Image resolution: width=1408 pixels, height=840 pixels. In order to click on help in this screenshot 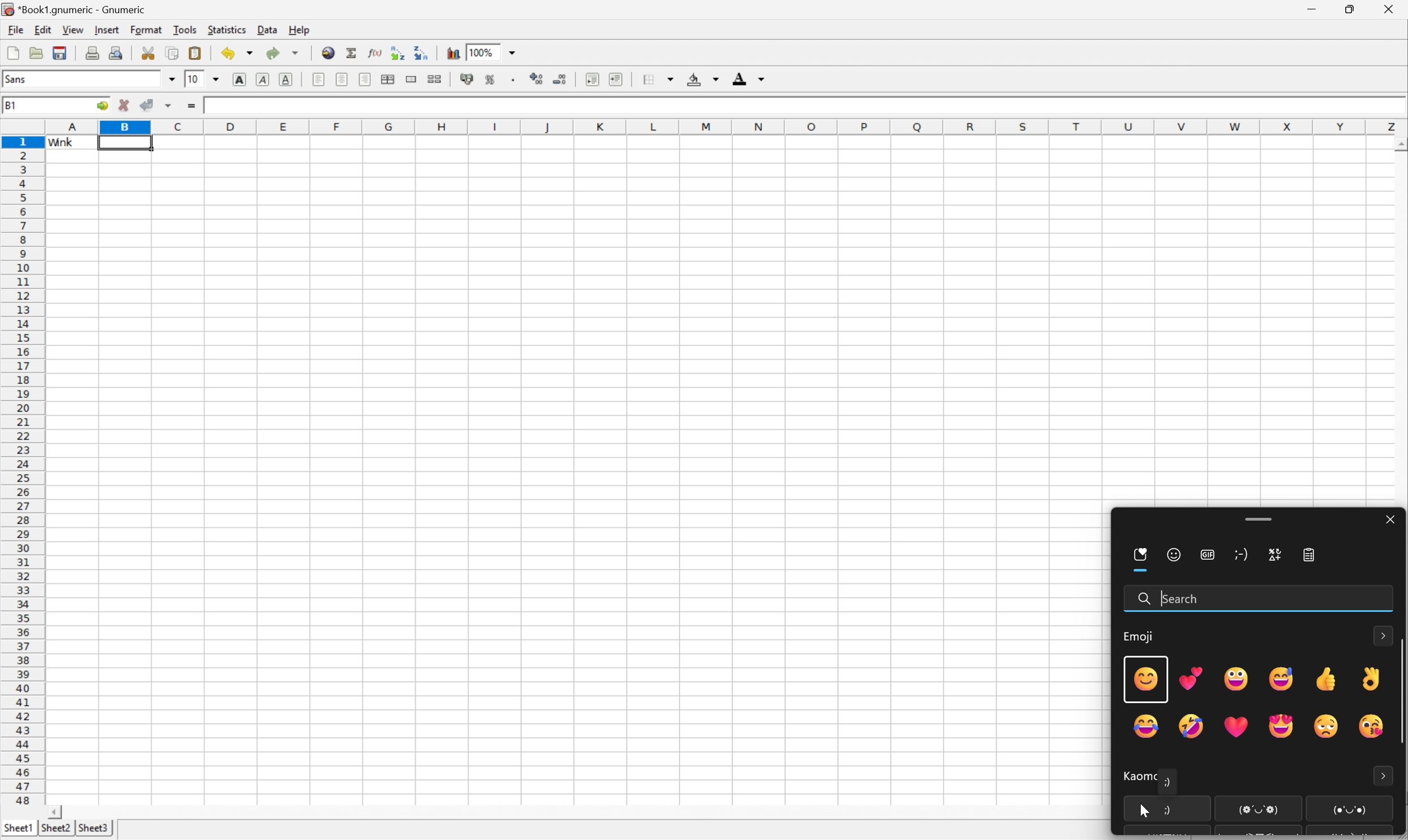, I will do `click(299, 31)`.